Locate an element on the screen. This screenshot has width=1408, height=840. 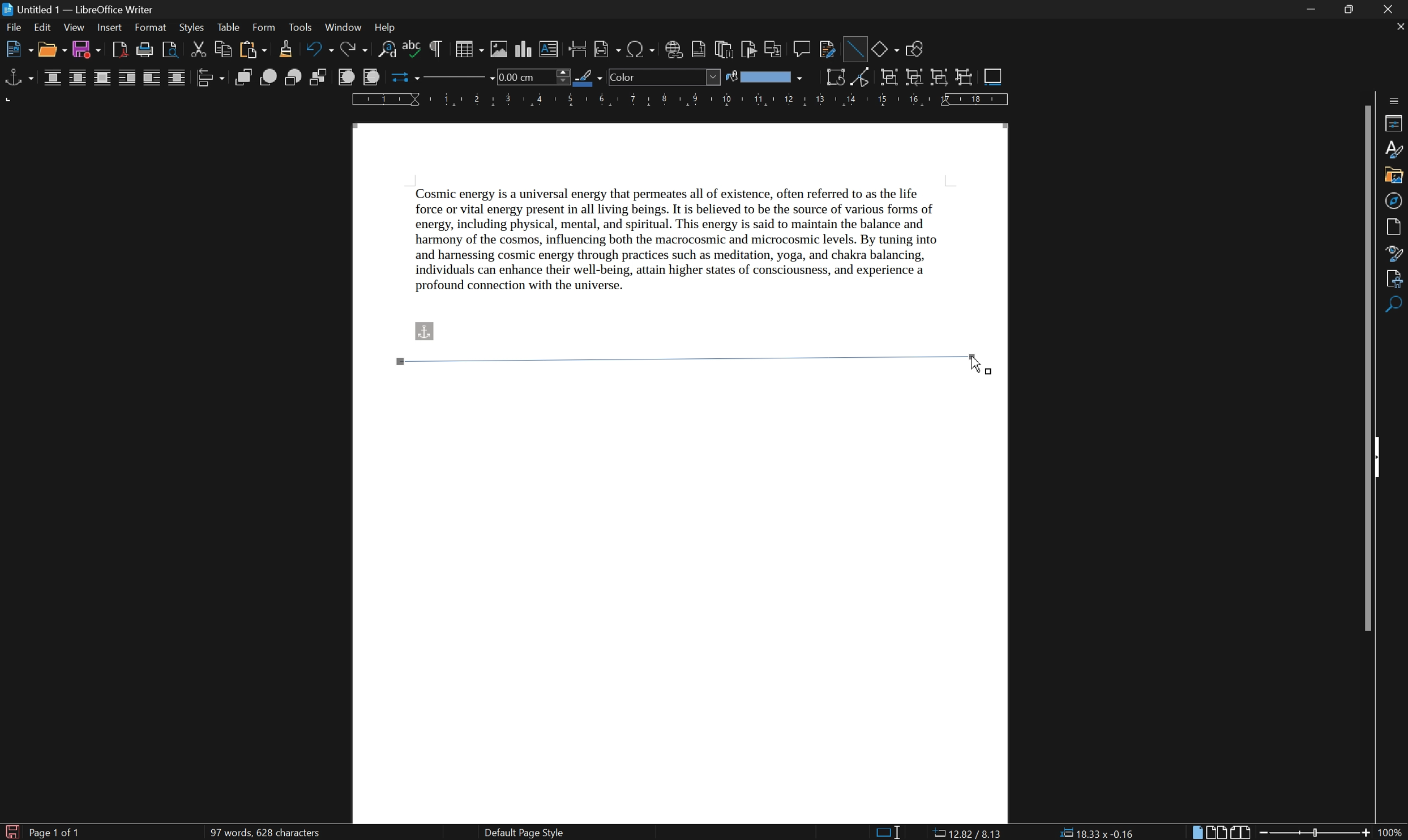
bring to front is located at coordinates (245, 78).